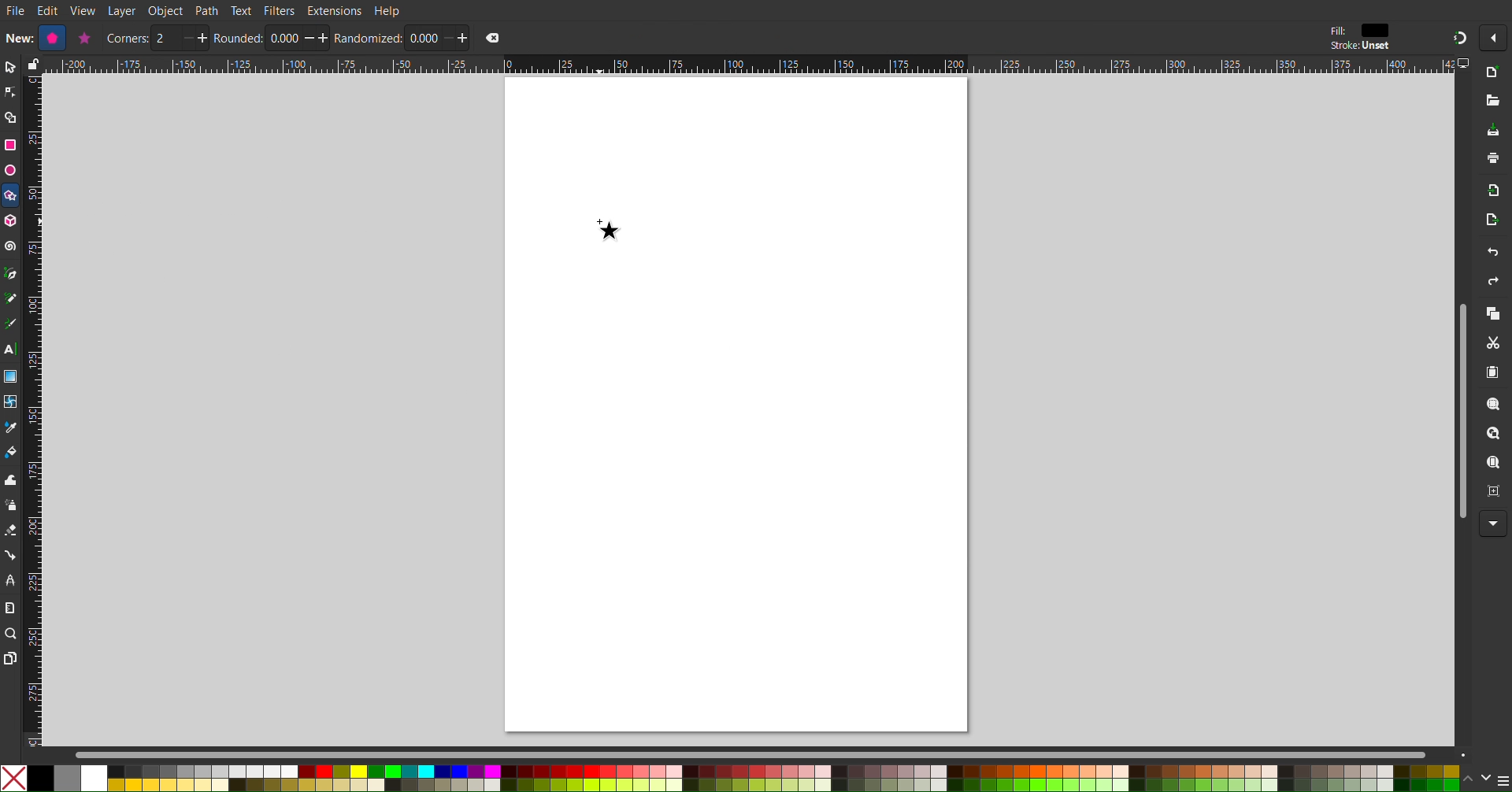 The width and height of the screenshot is (1512, 792). I want to click on Shape Builder Tool, so click(11, 118).